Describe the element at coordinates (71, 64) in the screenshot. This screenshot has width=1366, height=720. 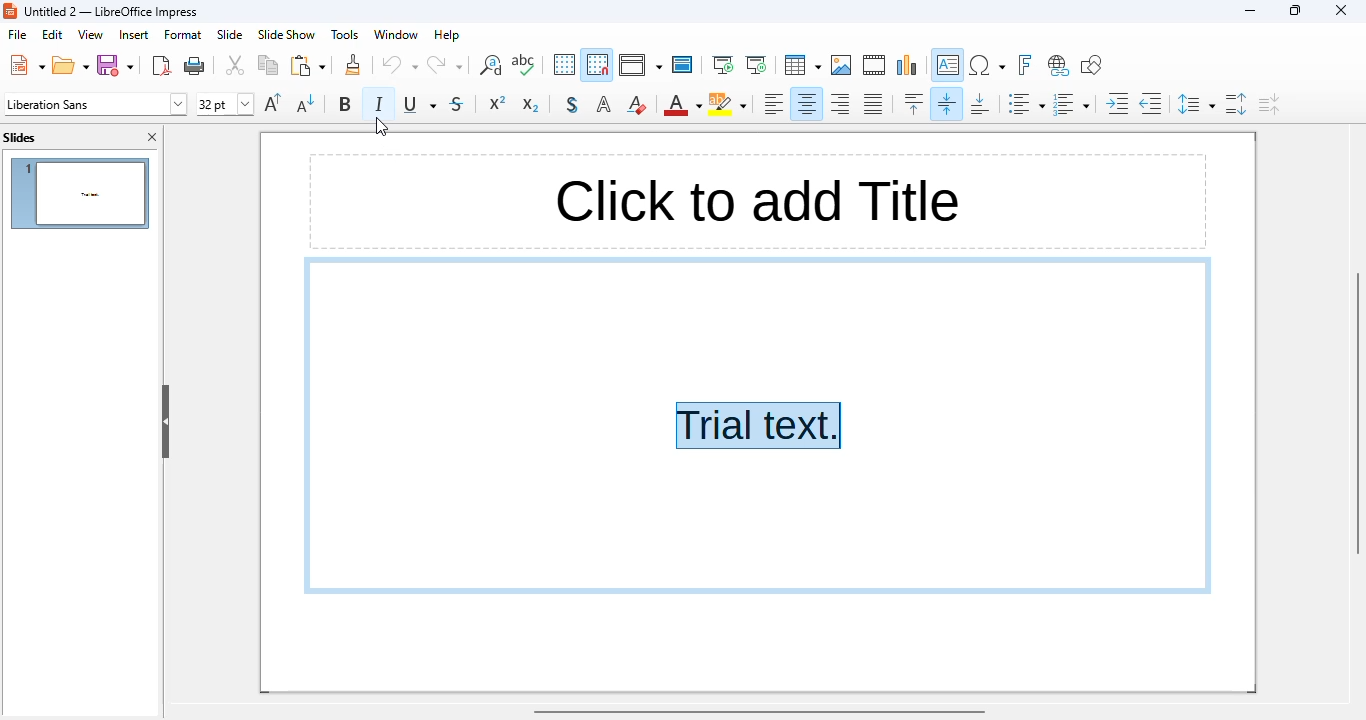
I see `open` at that location.